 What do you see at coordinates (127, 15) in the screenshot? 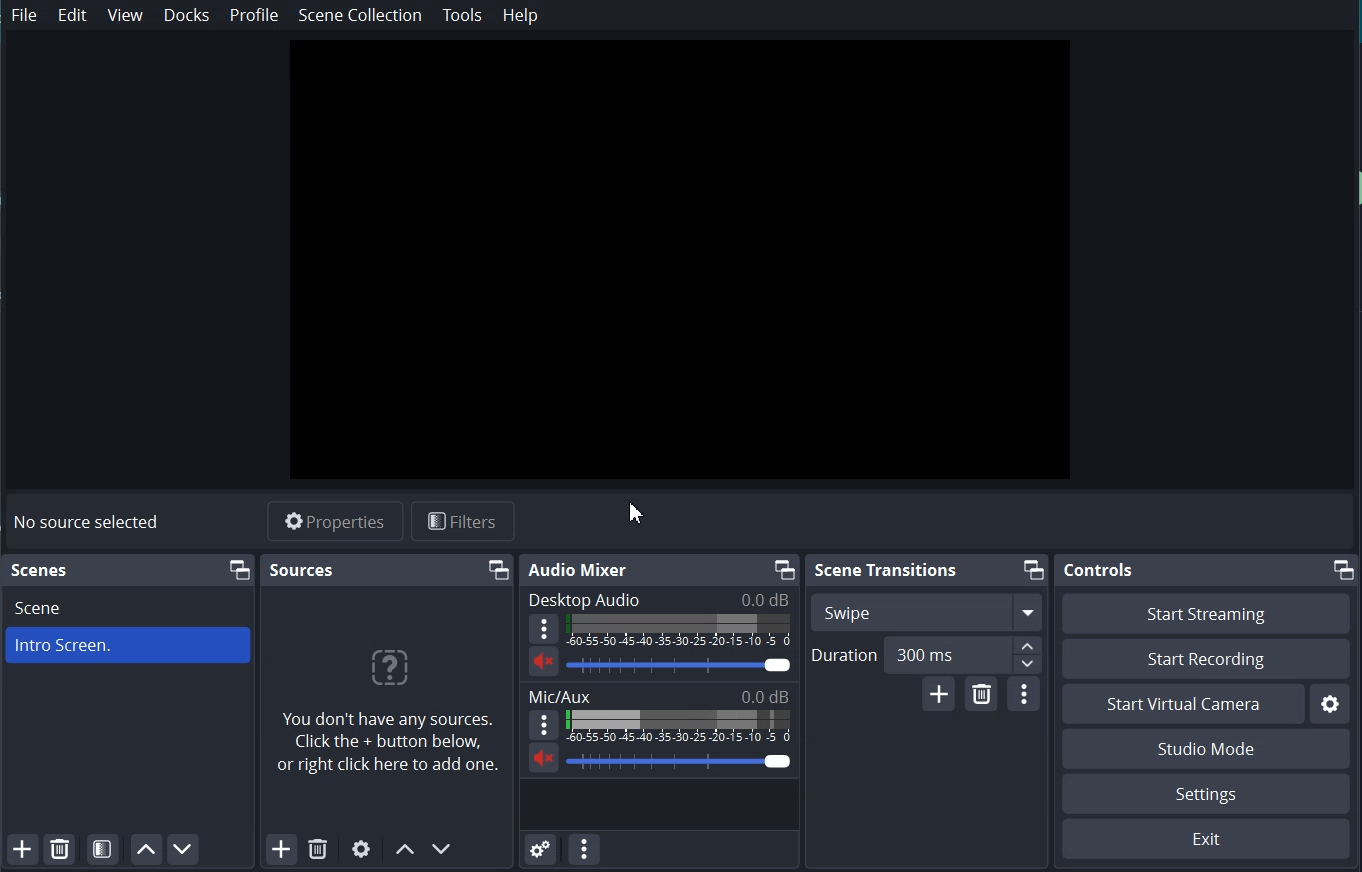
I see `View` at bounding box center [127, 15].